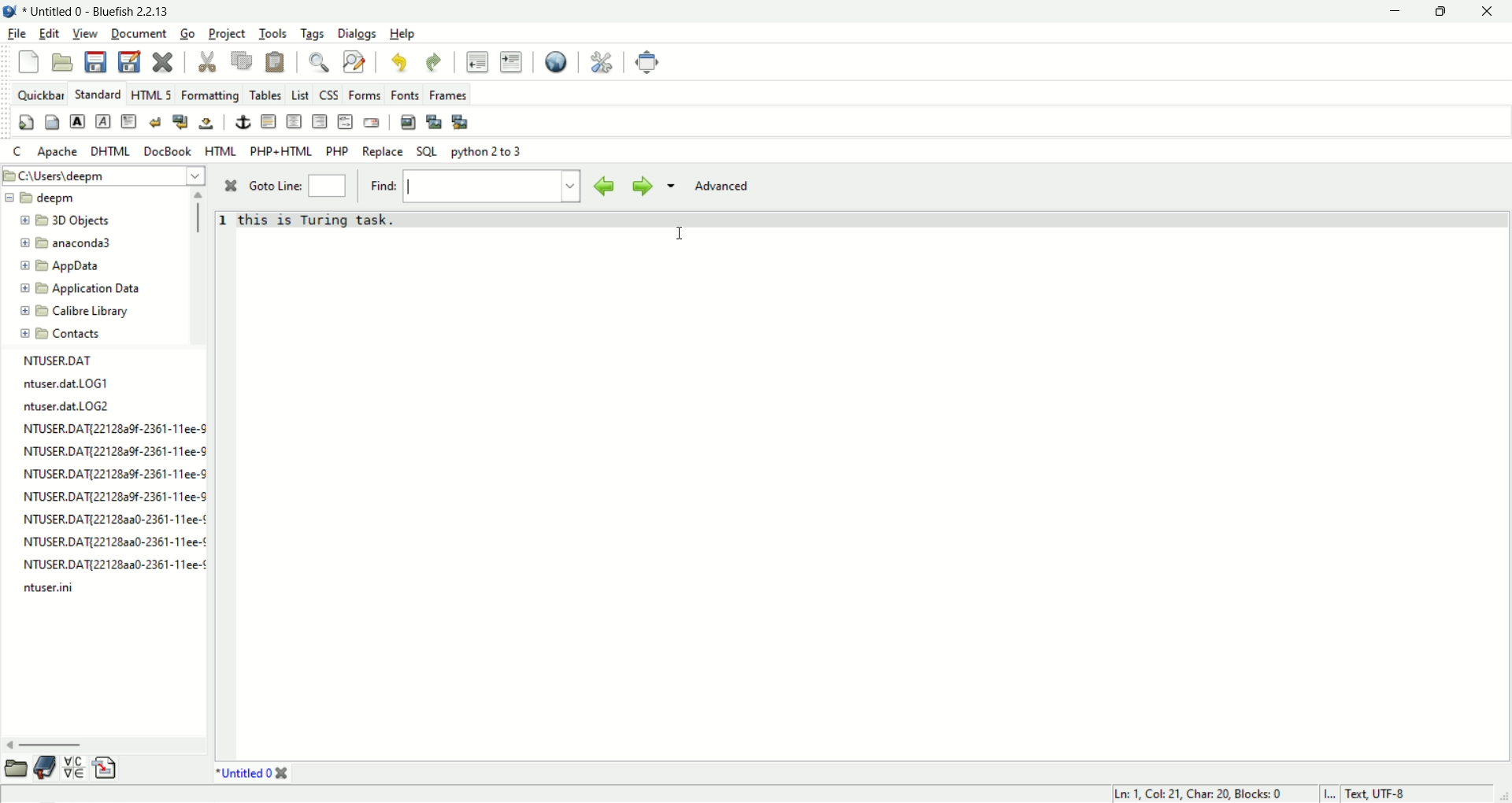 The width and height of the screenshot is (1512, 803). I want to click on save as, so click(129, 61).